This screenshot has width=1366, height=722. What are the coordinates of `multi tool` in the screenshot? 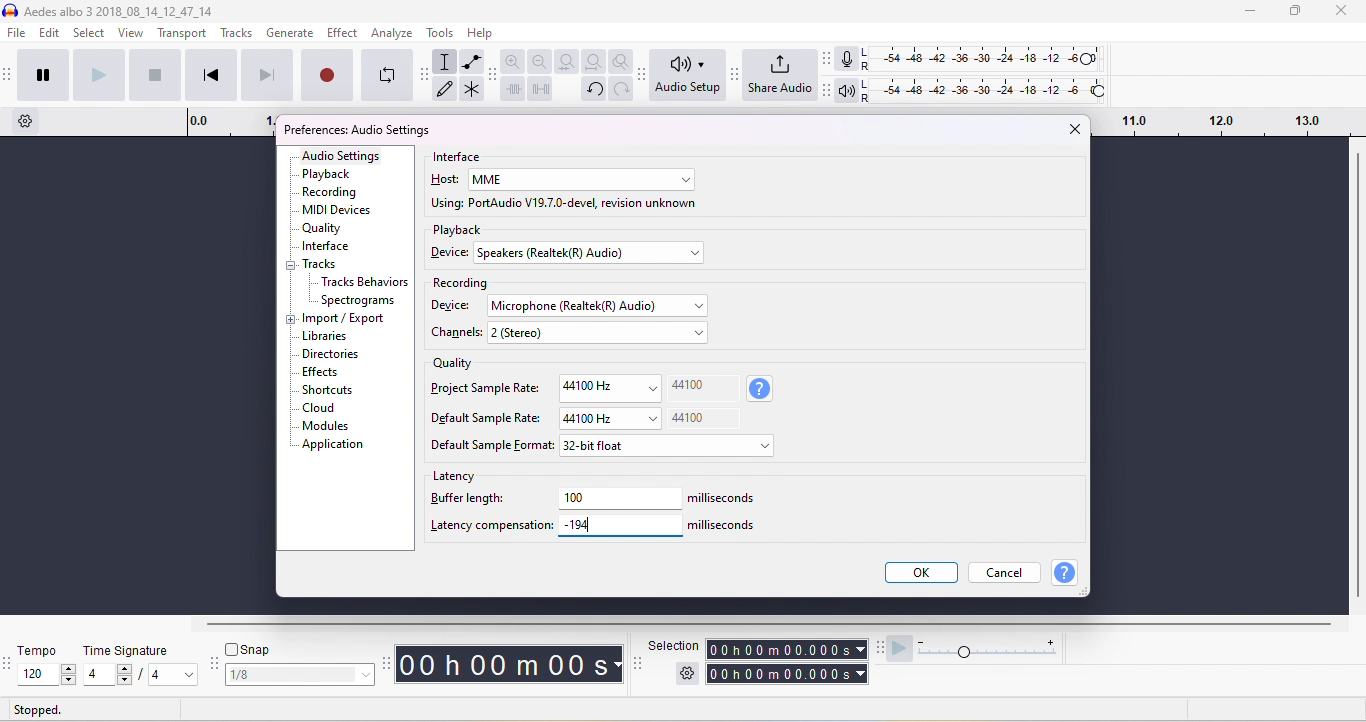 It's located at (472, 92).